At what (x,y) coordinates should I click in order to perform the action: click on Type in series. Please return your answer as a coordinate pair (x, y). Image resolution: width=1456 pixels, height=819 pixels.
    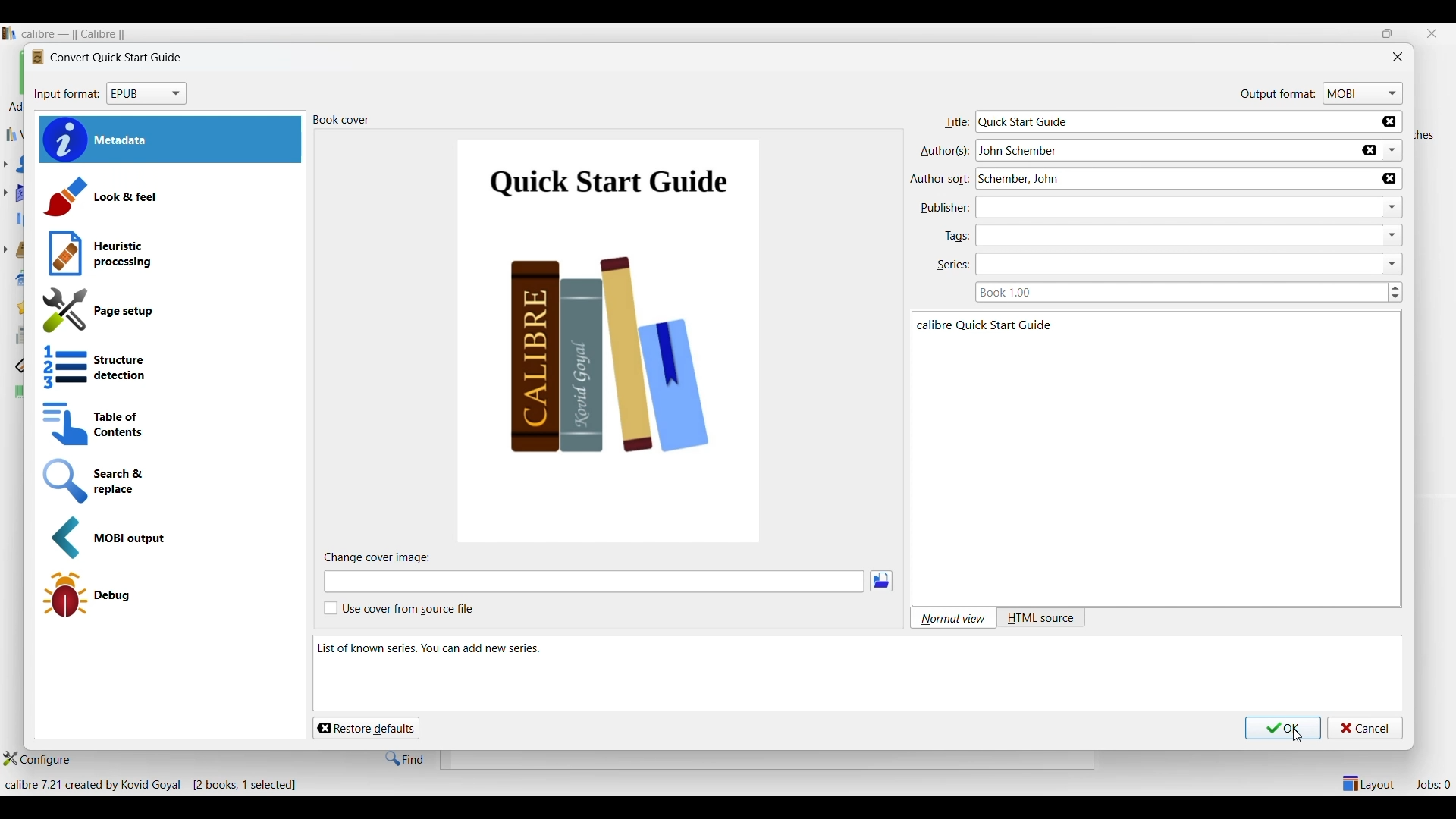
    Looking at the image, I should click on (1173, 265).